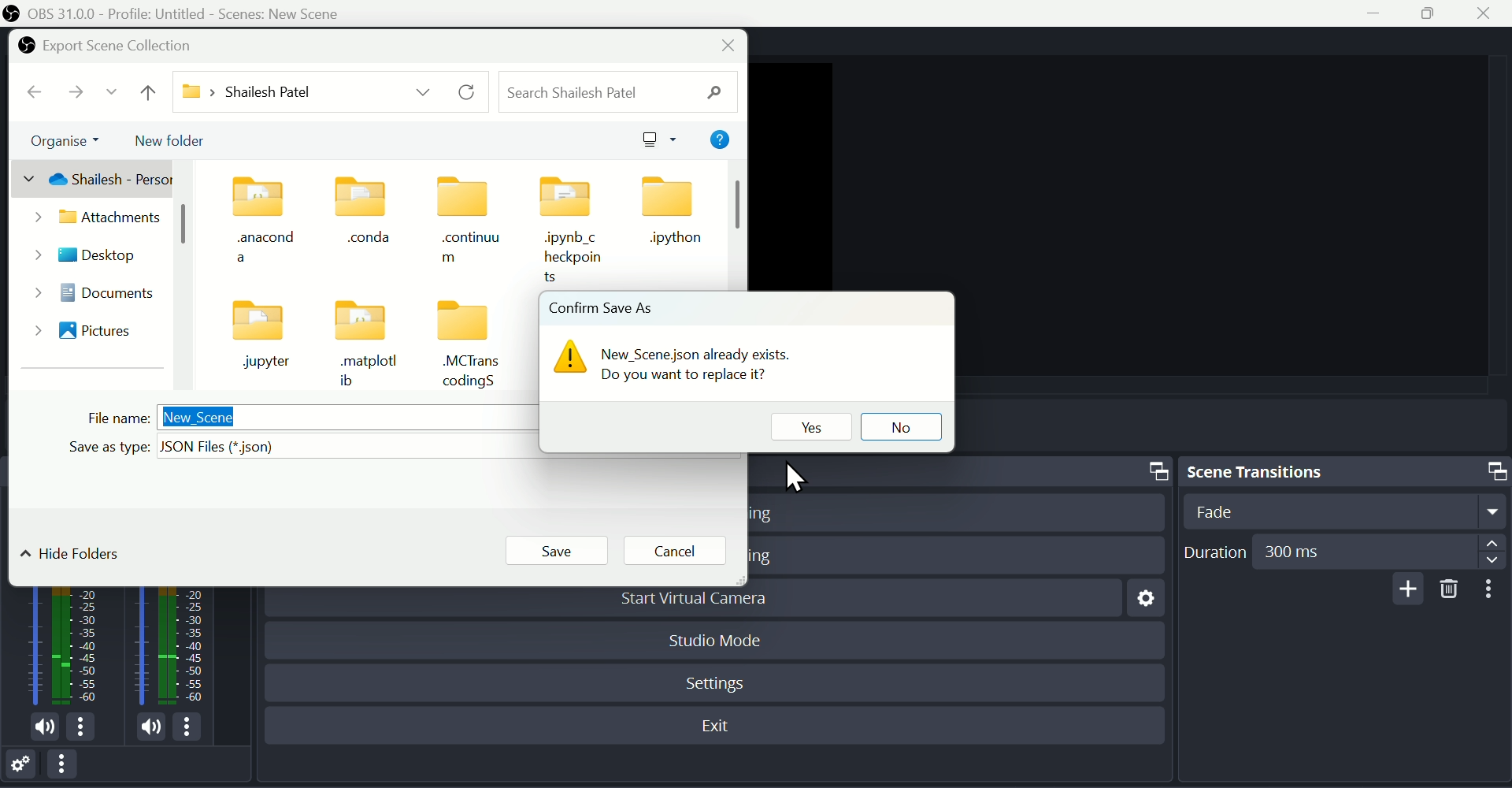  I want to click on Note, so click(690, 362).